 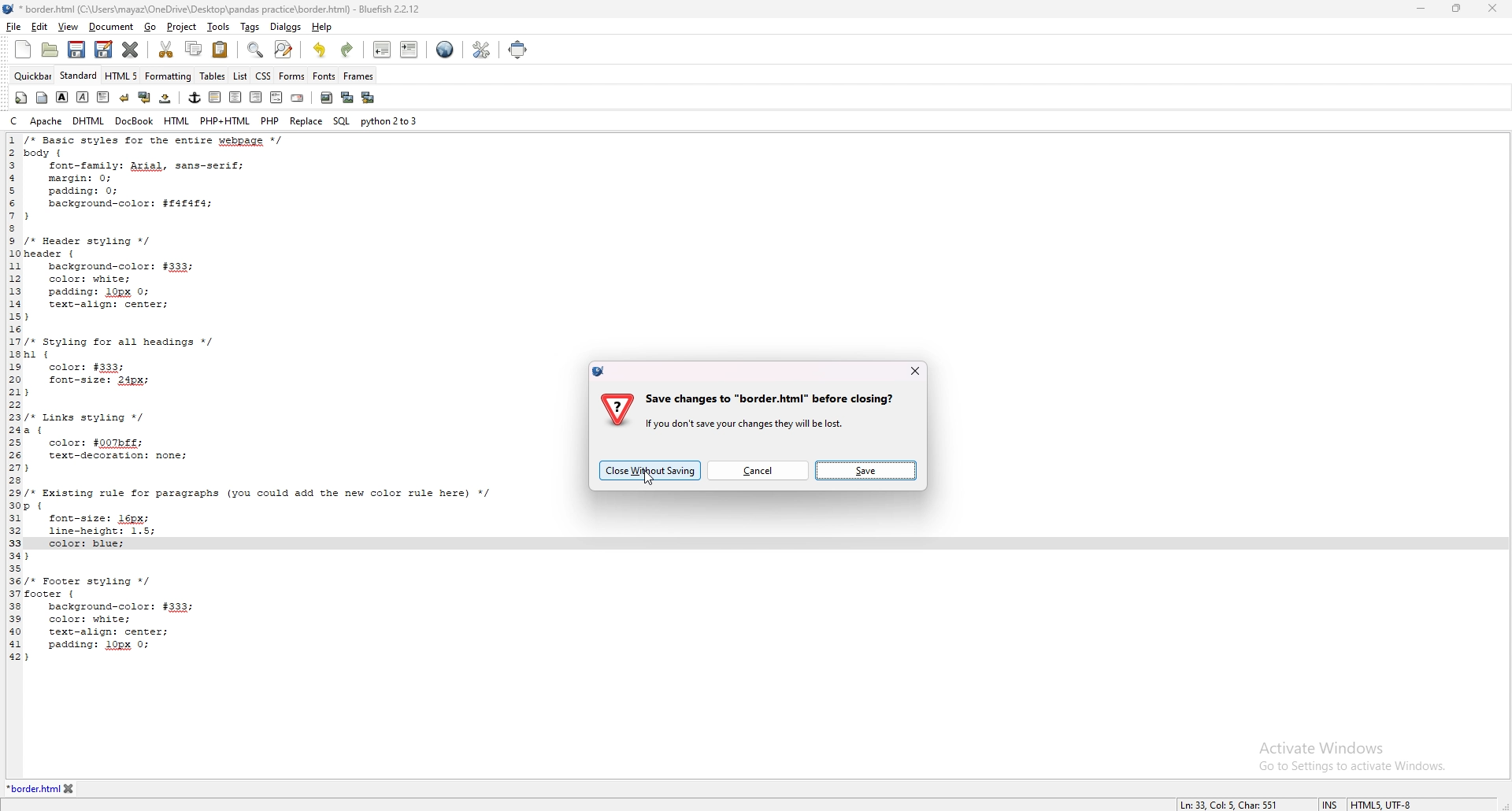 I want to click on web preview, so click(x=445, y=50).